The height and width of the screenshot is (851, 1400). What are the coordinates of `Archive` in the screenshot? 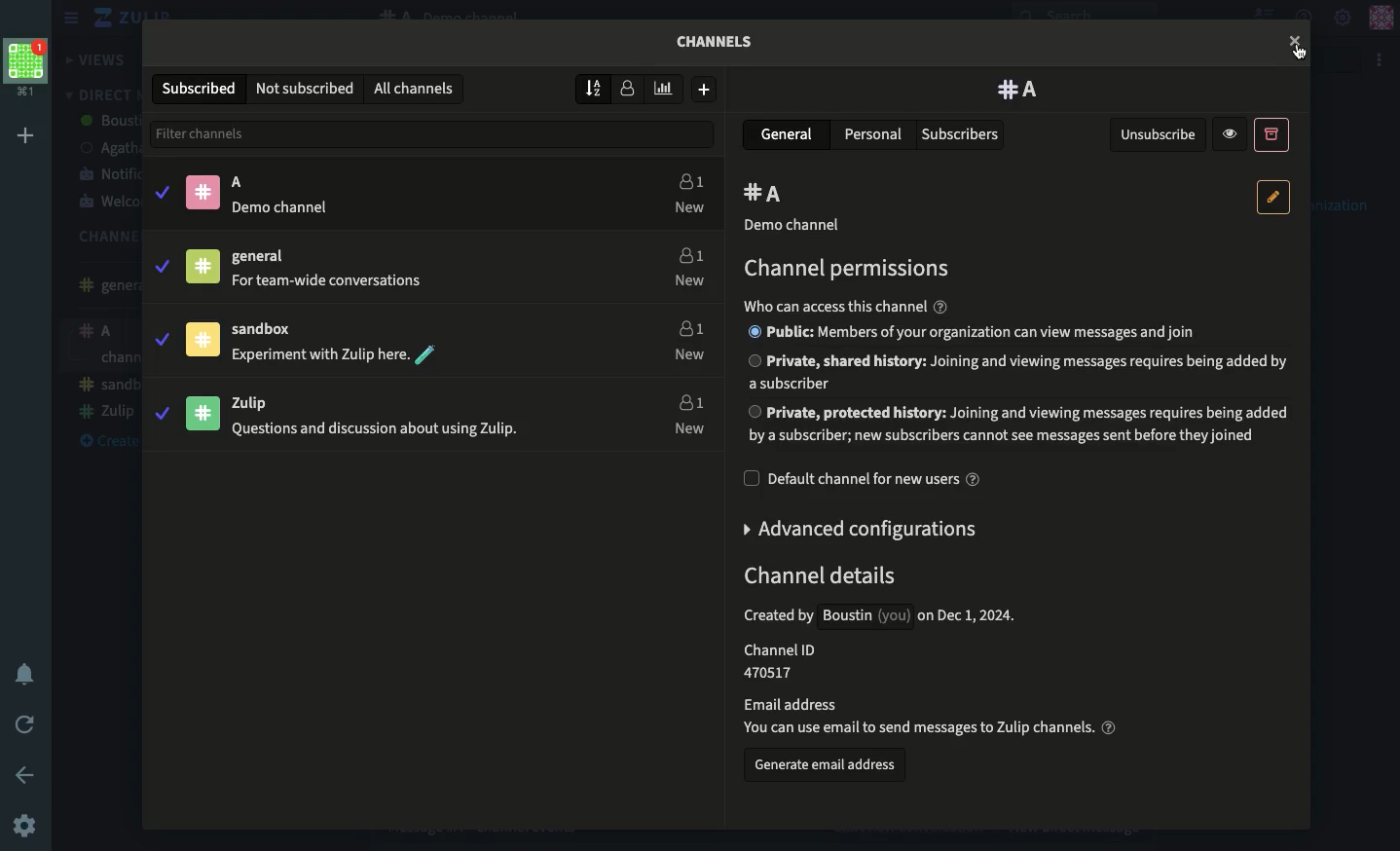 It's located at (1271, 133).